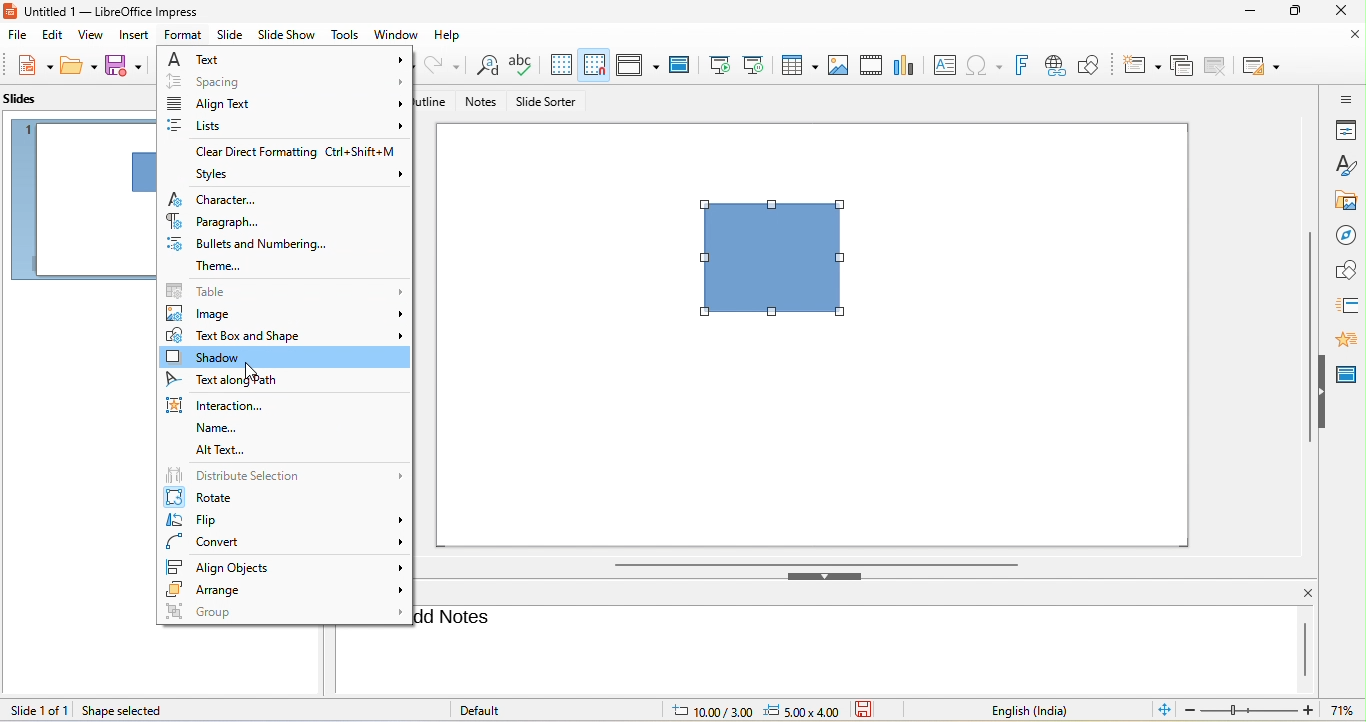  I want to click on delete slide, so click(1216, 64).